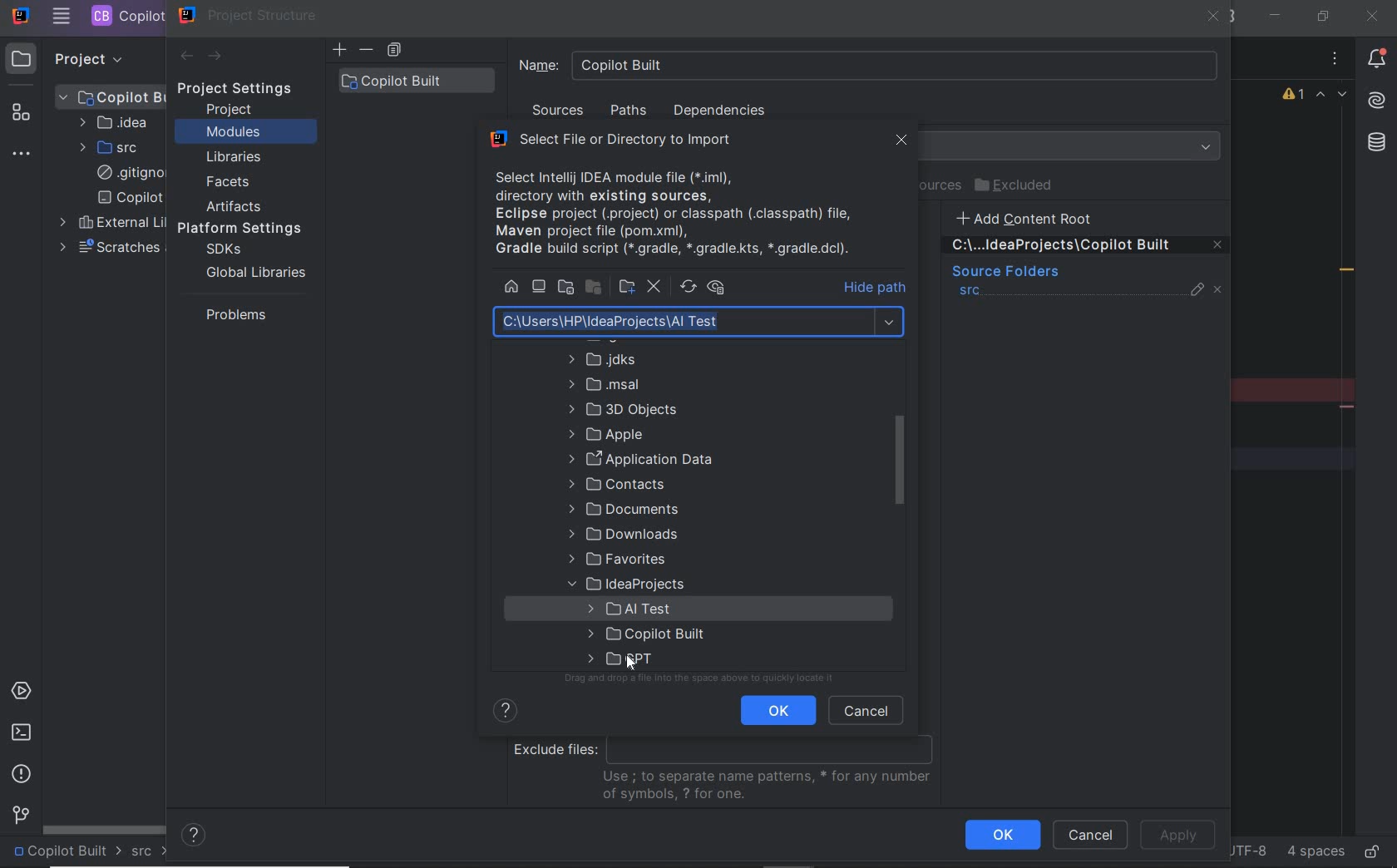 This screenshot has width=1397, height=868. Describe the element at coordinates (1349, 407) in the screenshot. I see `remove line` at that location.